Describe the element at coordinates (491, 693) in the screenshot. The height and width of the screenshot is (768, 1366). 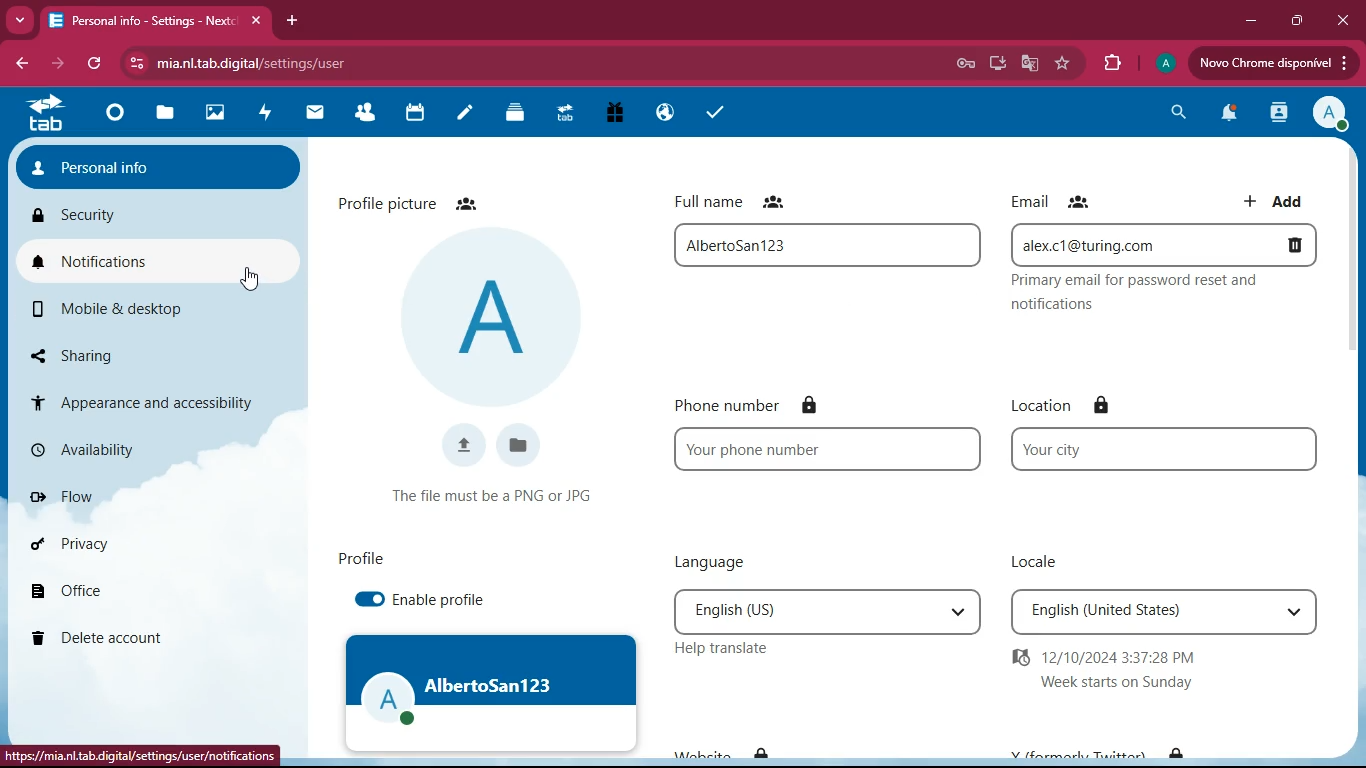
I see `profile` at that location.